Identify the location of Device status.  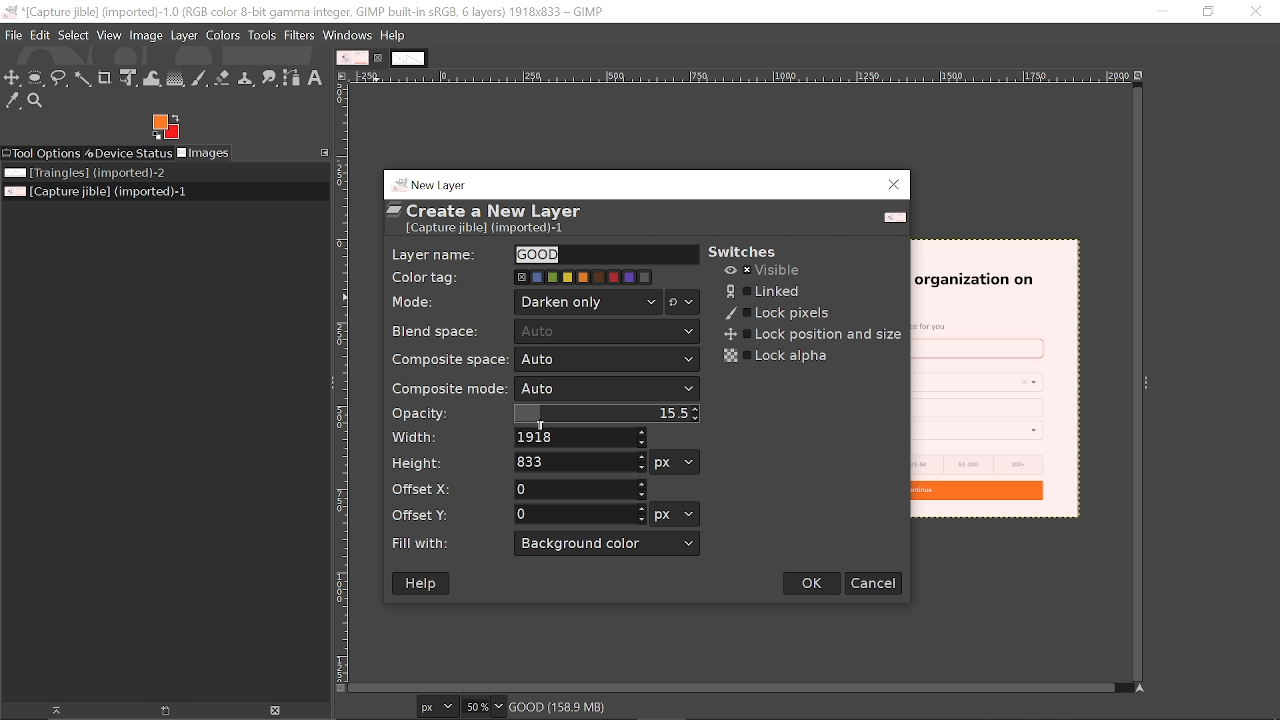
(127, 154).